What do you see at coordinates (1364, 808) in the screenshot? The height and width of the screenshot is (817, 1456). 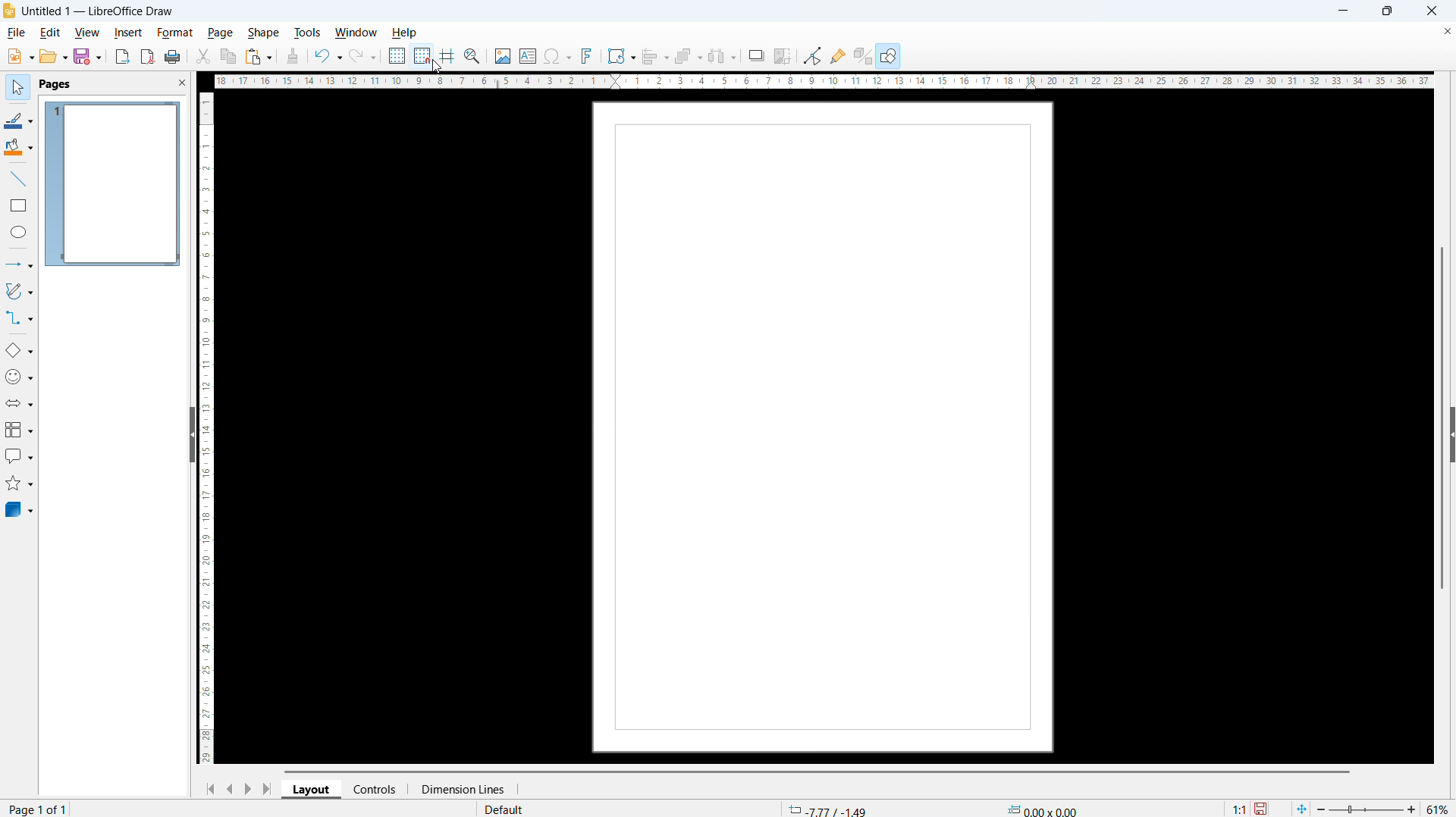 I see `Zoom slider ` at bounding box center [1364, 808].